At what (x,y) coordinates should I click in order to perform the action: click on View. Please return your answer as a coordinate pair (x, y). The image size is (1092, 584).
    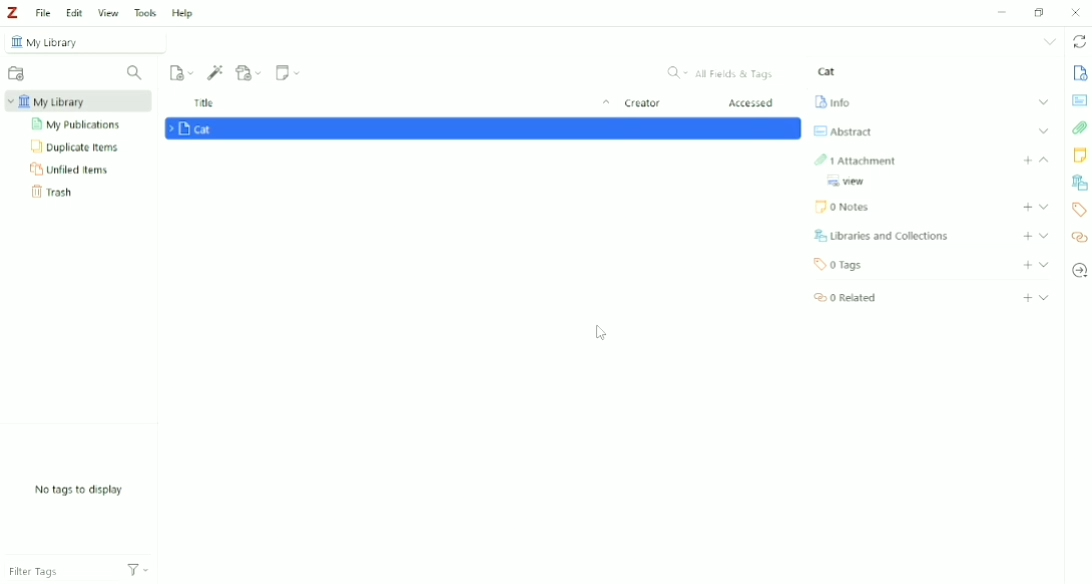
    Looking at the image, I should click on (109, 12).